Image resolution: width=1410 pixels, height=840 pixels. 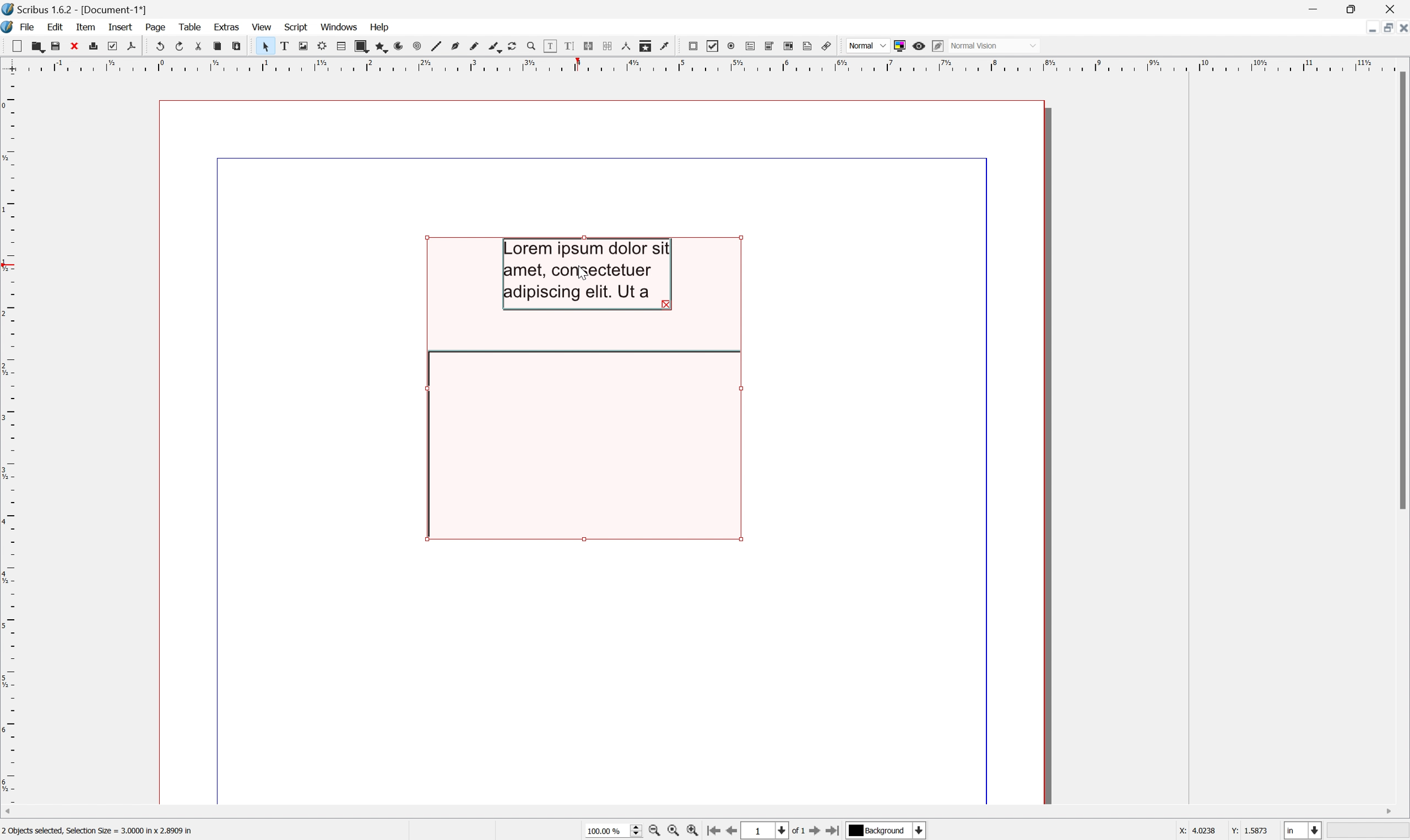 I want to click on Minimize, so click(x=1310, y=8).